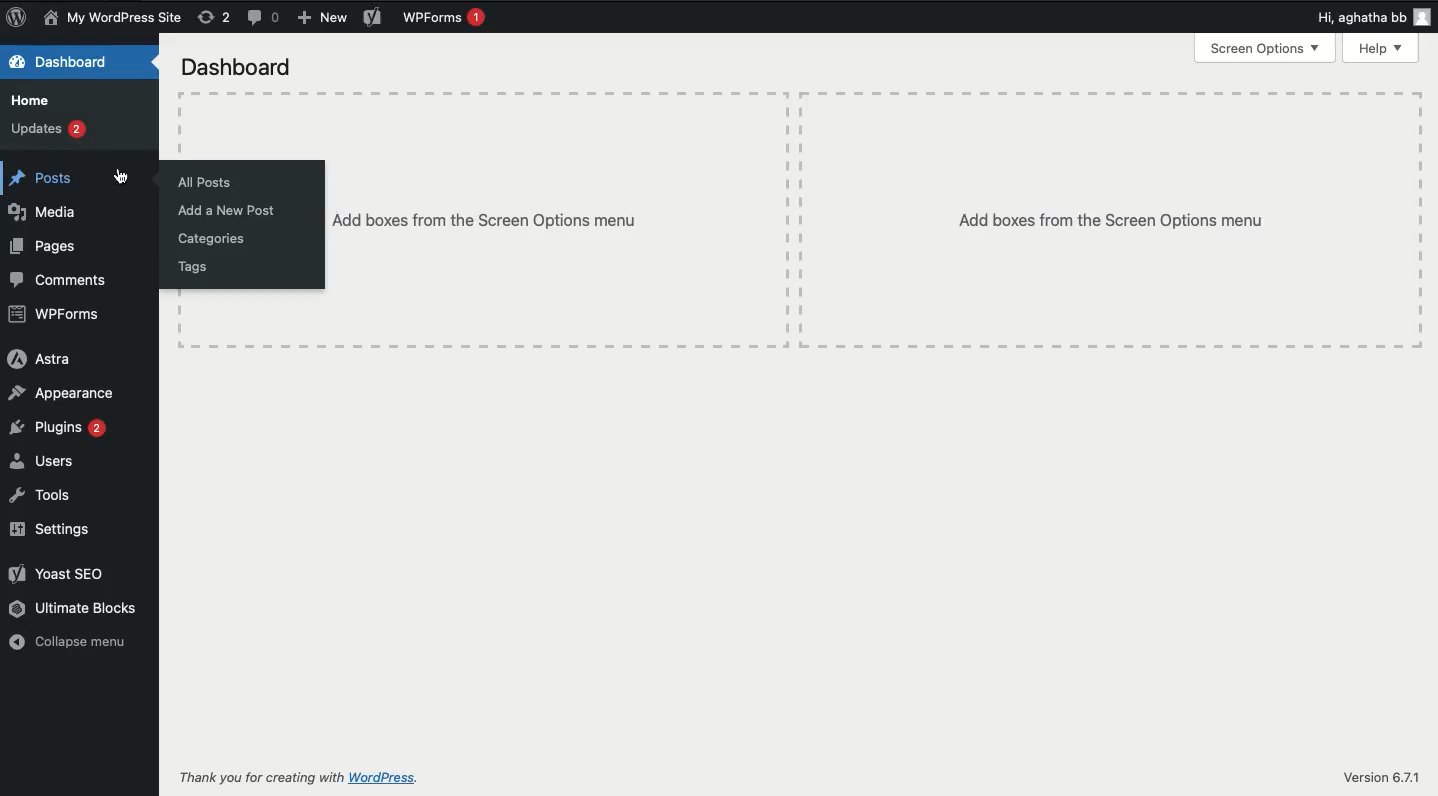  I want to click on cursor, so click(122, 175).